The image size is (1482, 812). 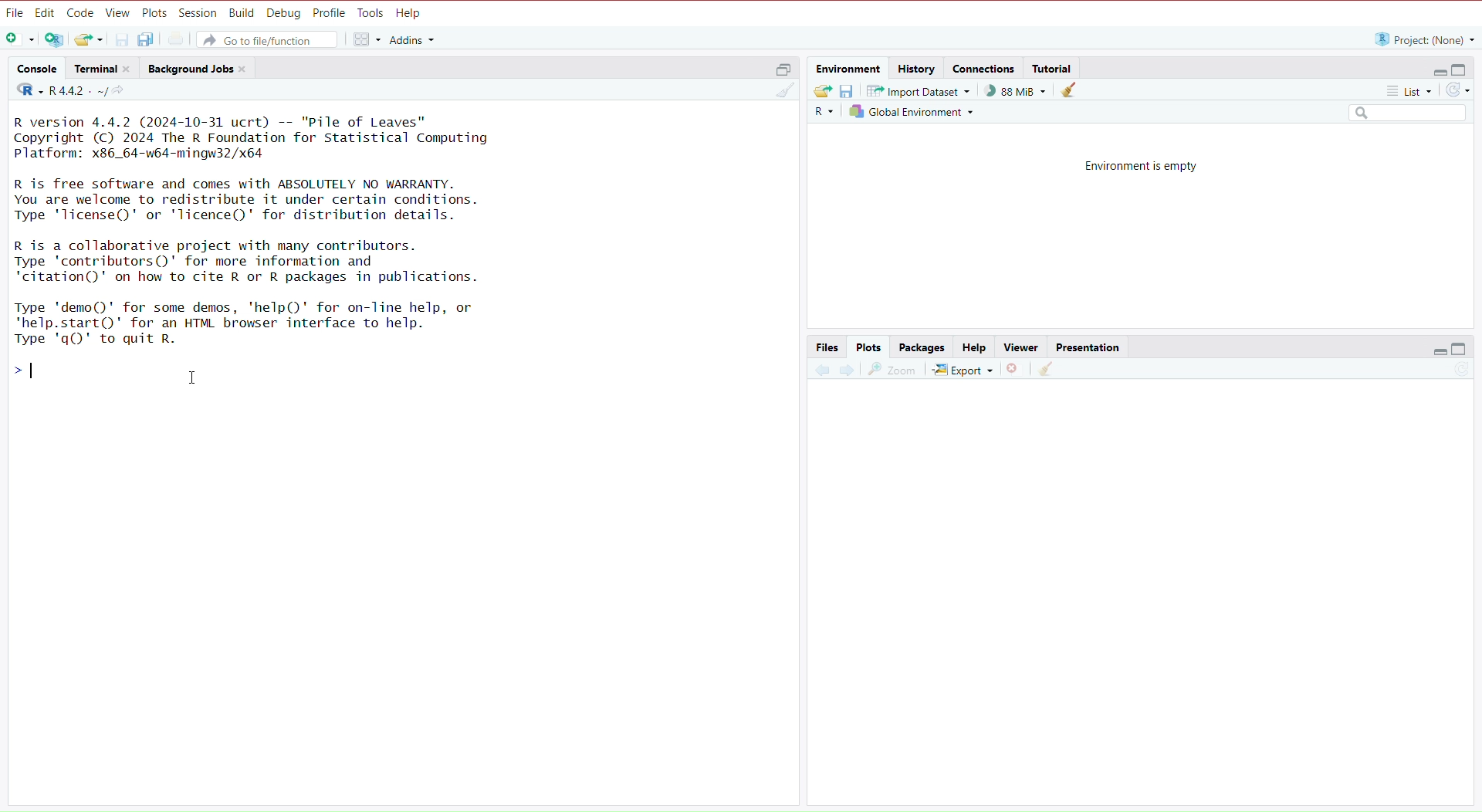 I want to click on Save, so click(x=848, y=91).